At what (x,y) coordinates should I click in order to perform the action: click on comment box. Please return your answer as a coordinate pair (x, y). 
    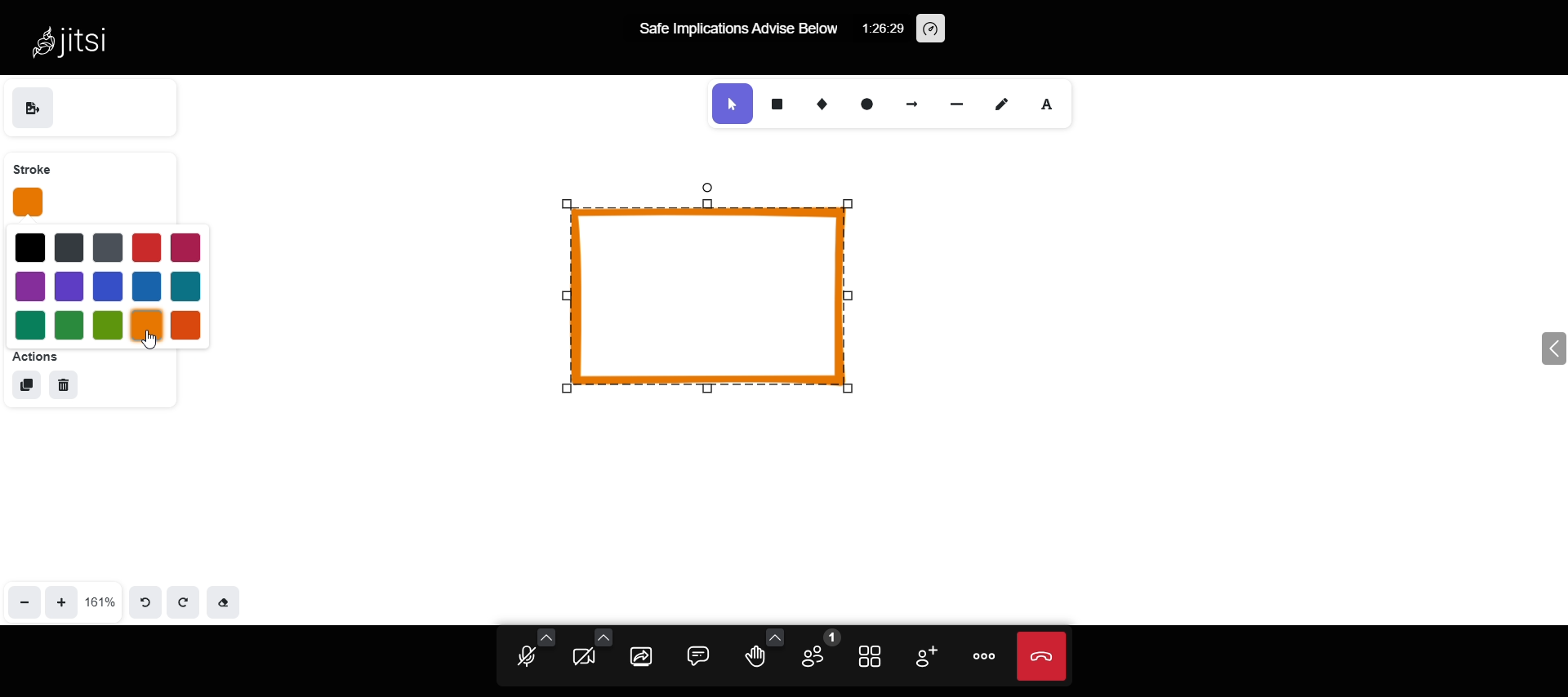
    Looking at the image, I should click on (700, 652).